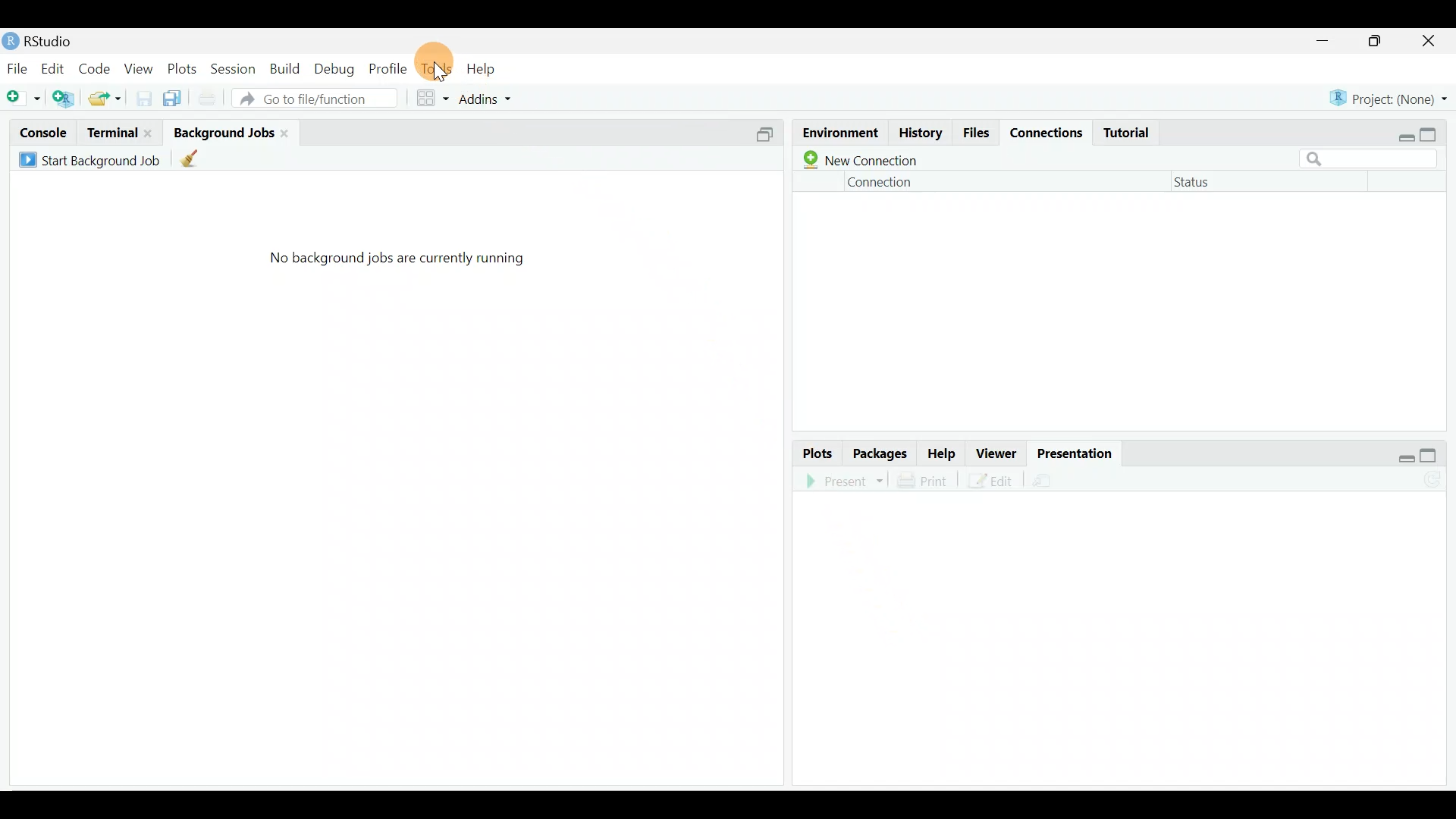  What do you see at coordinates (818, 453) in the screenshot?
I see `Plots` at bounding box center [818, 453].